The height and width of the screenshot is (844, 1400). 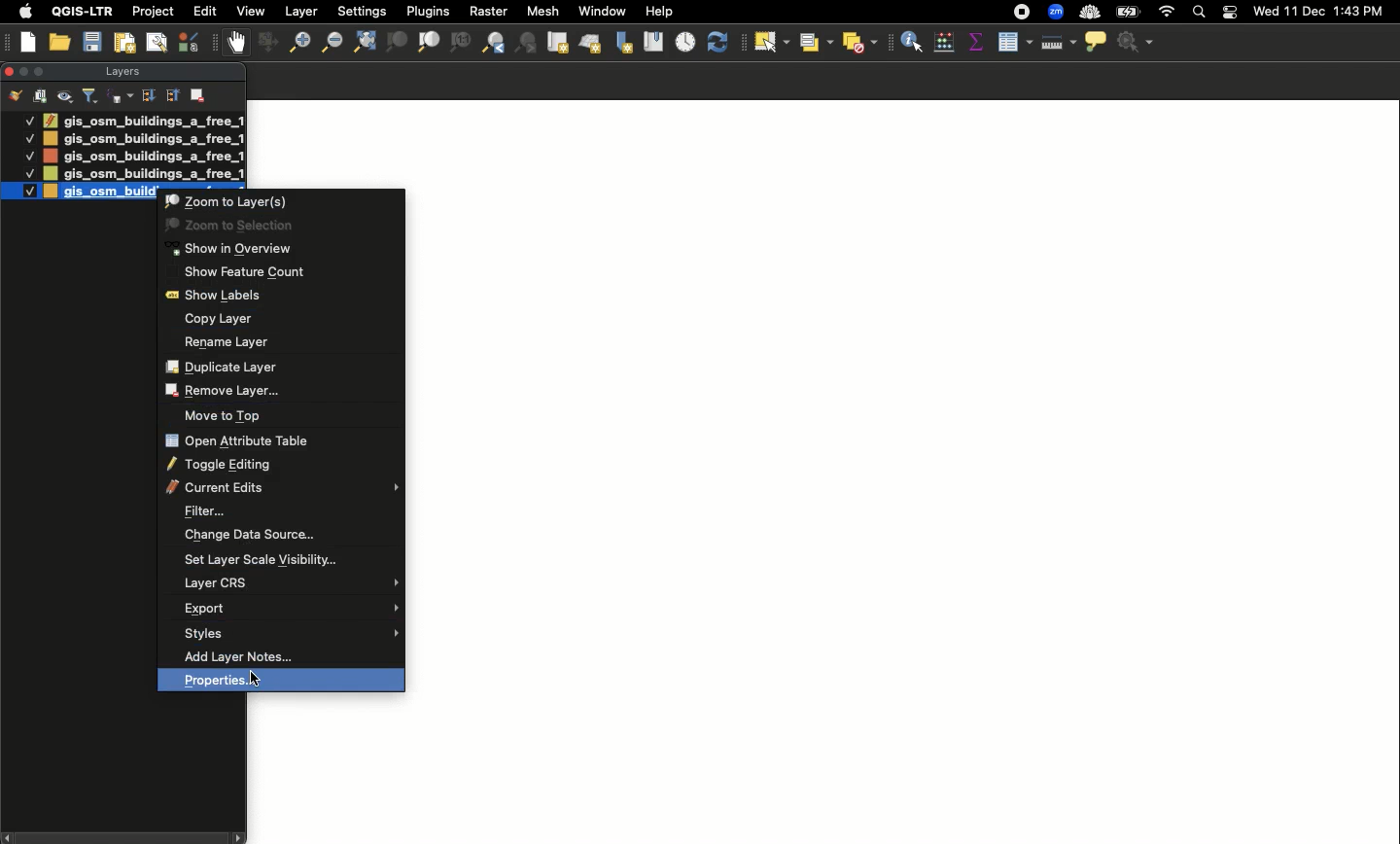 What do you see at coordinates (283, 319) in the screenshot?
I see `Copy layer` at bounding box center [283, 319].